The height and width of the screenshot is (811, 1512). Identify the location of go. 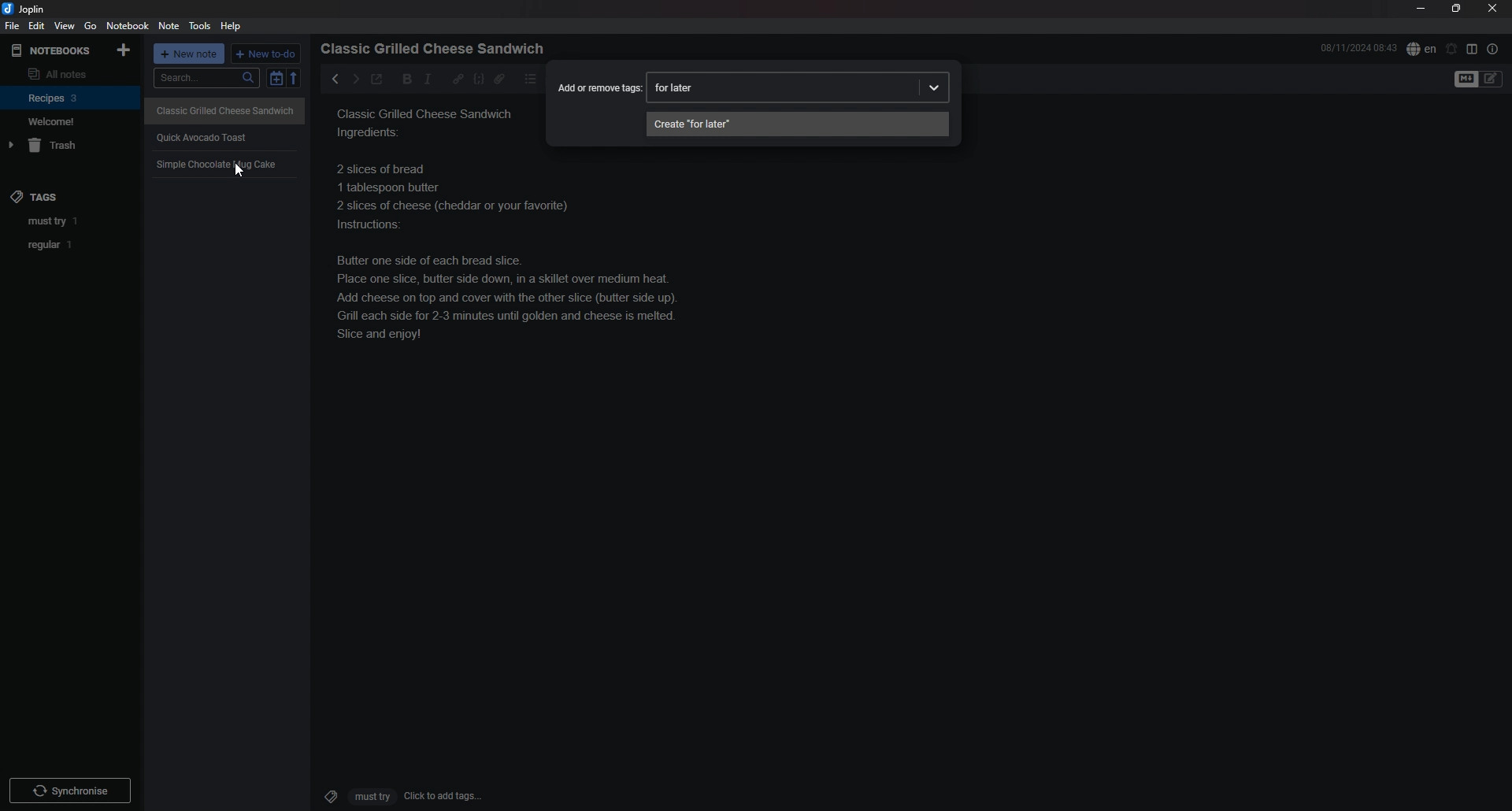
(91, 25).